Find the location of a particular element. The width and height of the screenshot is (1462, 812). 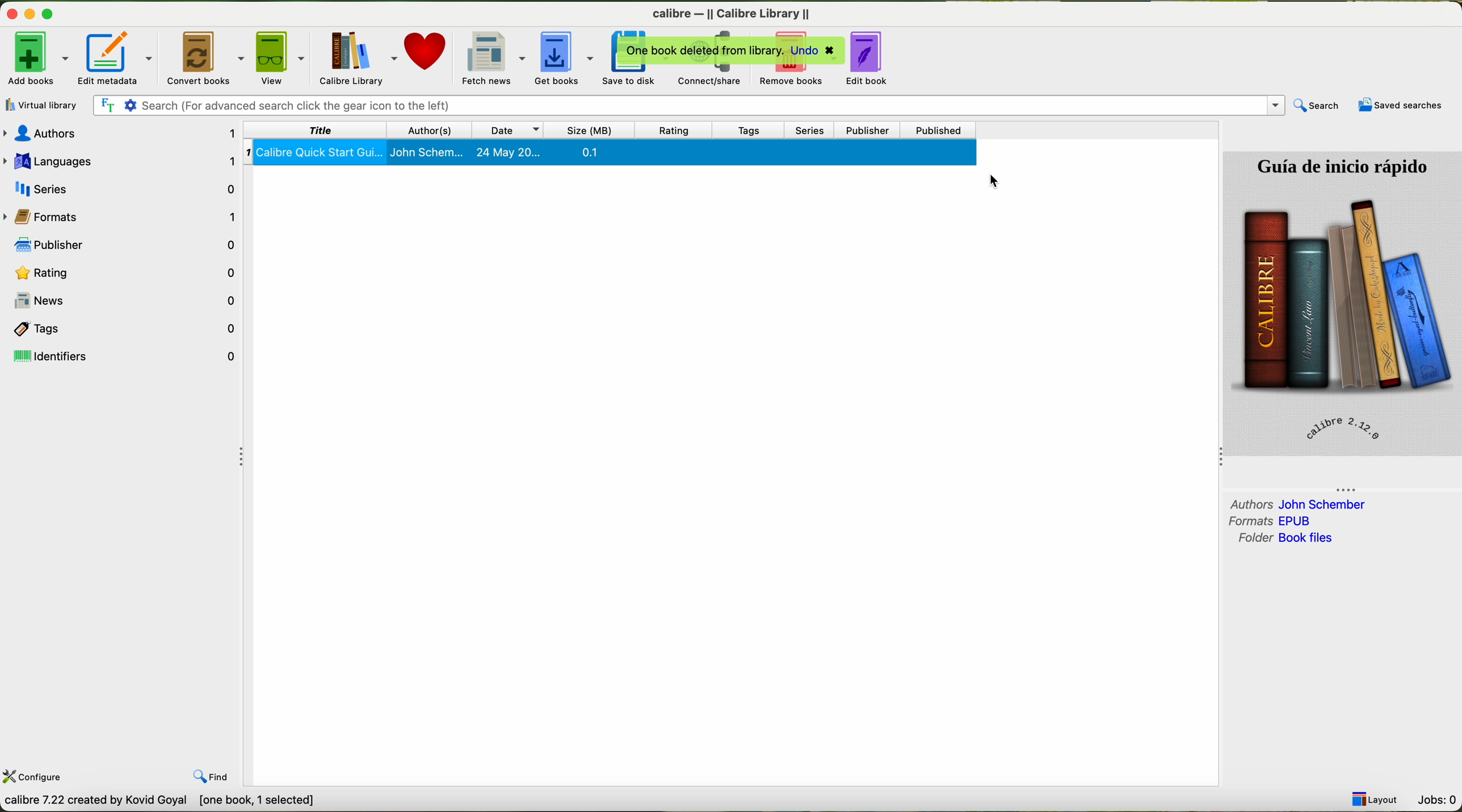

published is located at coordinates (941, 129).